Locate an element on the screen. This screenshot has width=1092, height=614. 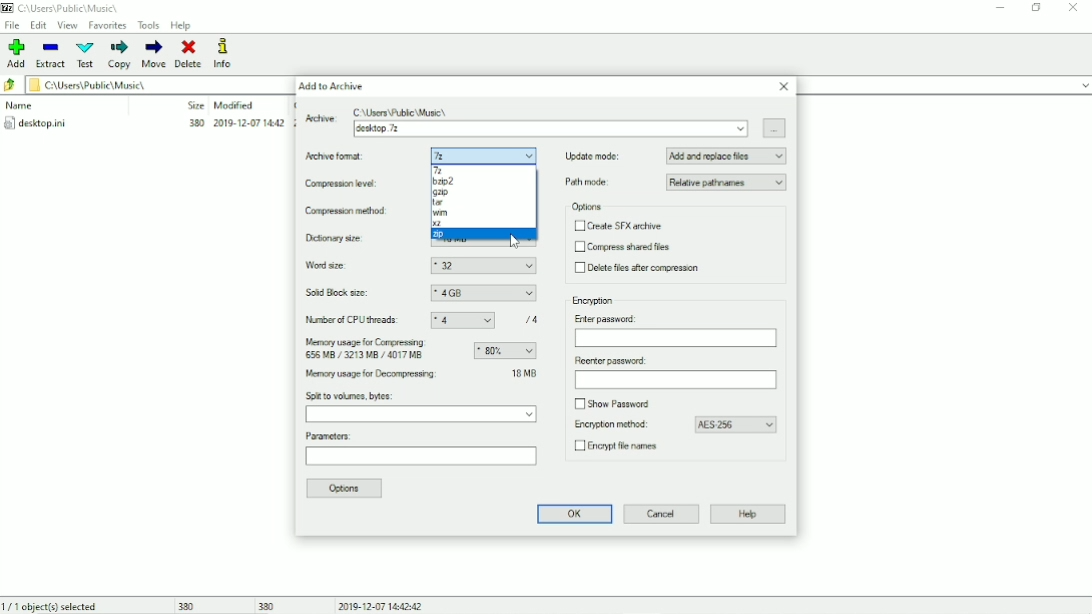
Archive is located at coordinates (527, 120).